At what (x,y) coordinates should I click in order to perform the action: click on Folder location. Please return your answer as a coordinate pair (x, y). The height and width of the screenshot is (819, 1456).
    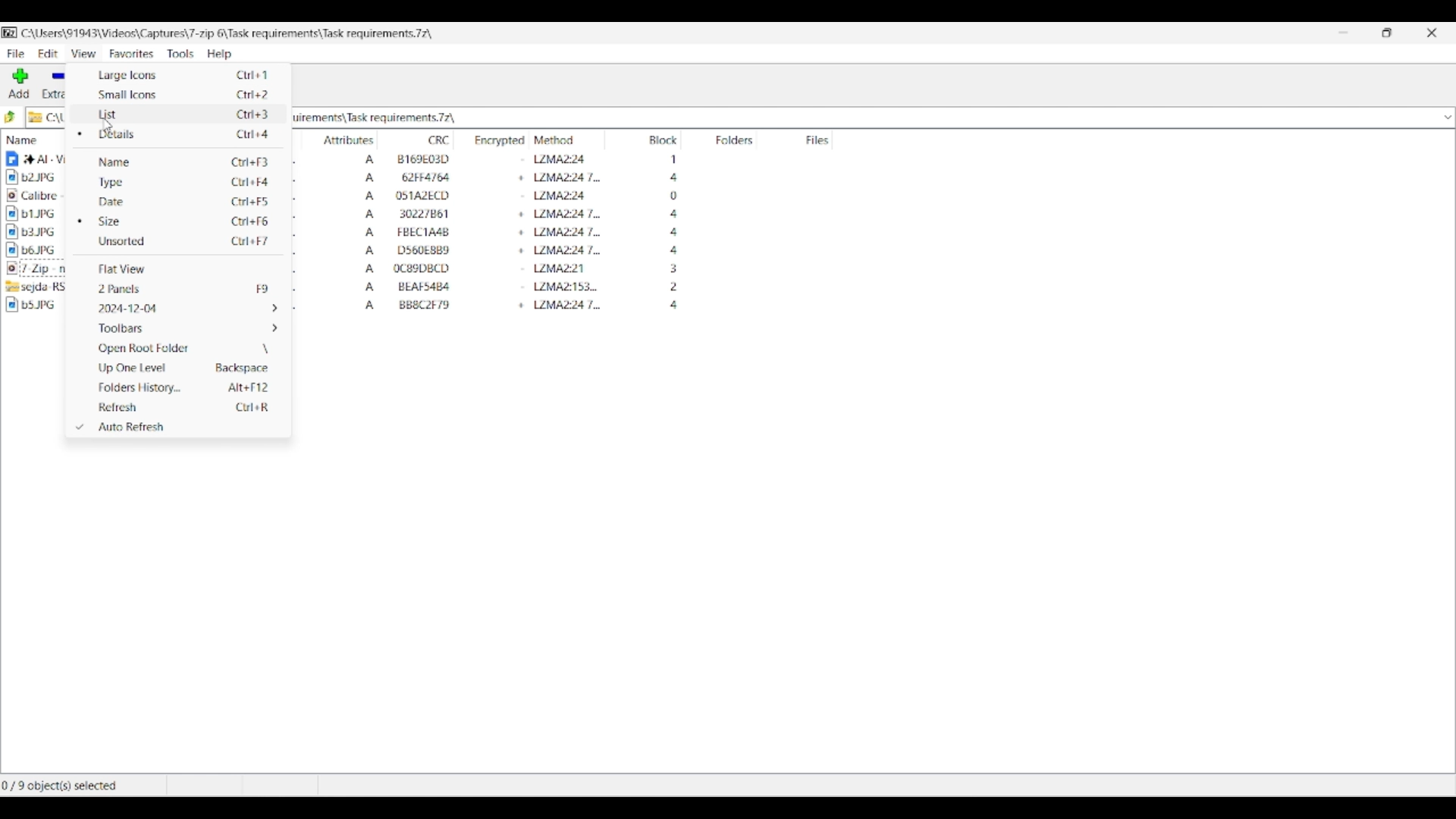
    Looking at the image, I should click on (227, 33).